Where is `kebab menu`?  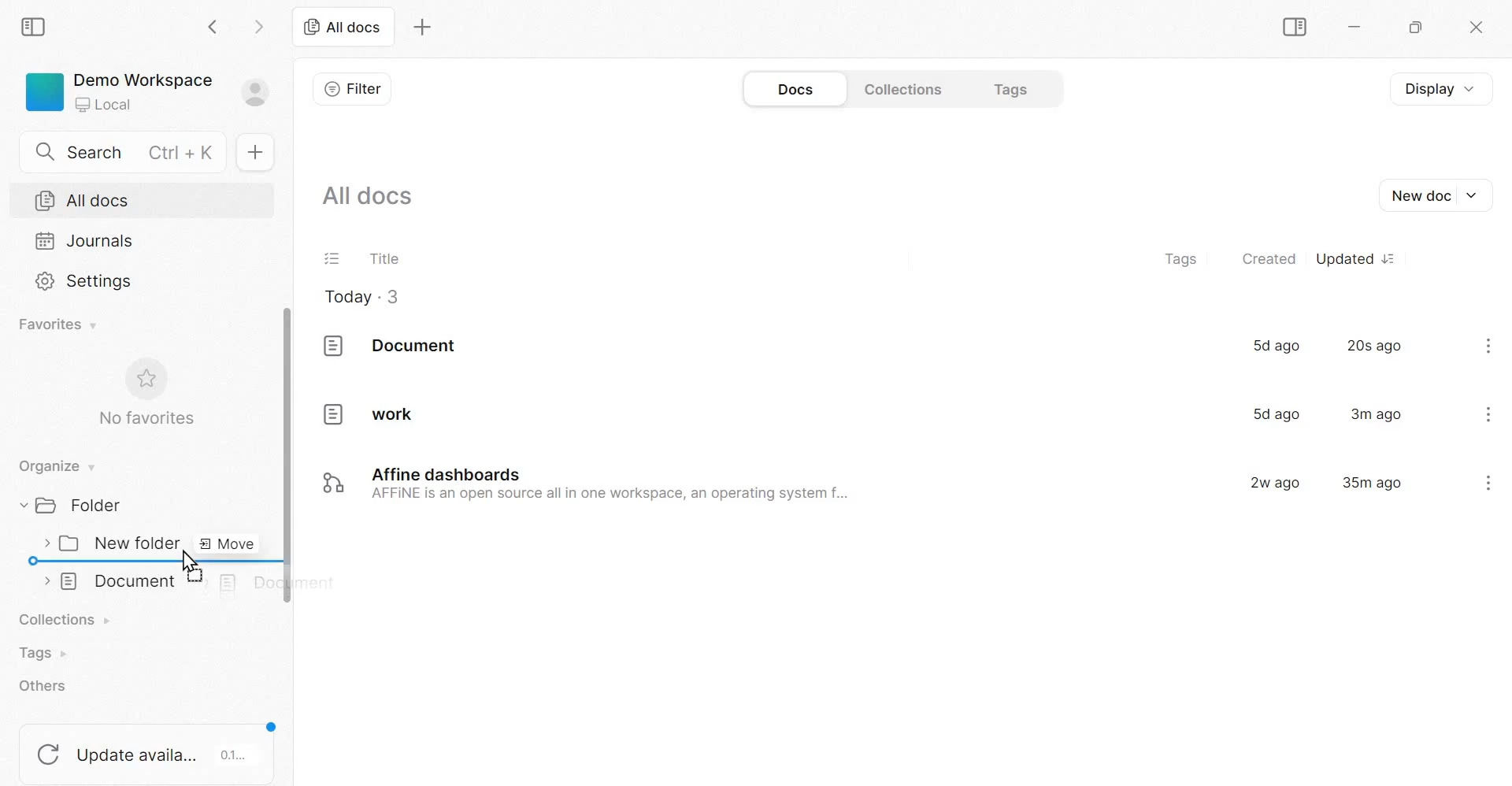
kebab menu is located at coordinates (1488, 481).